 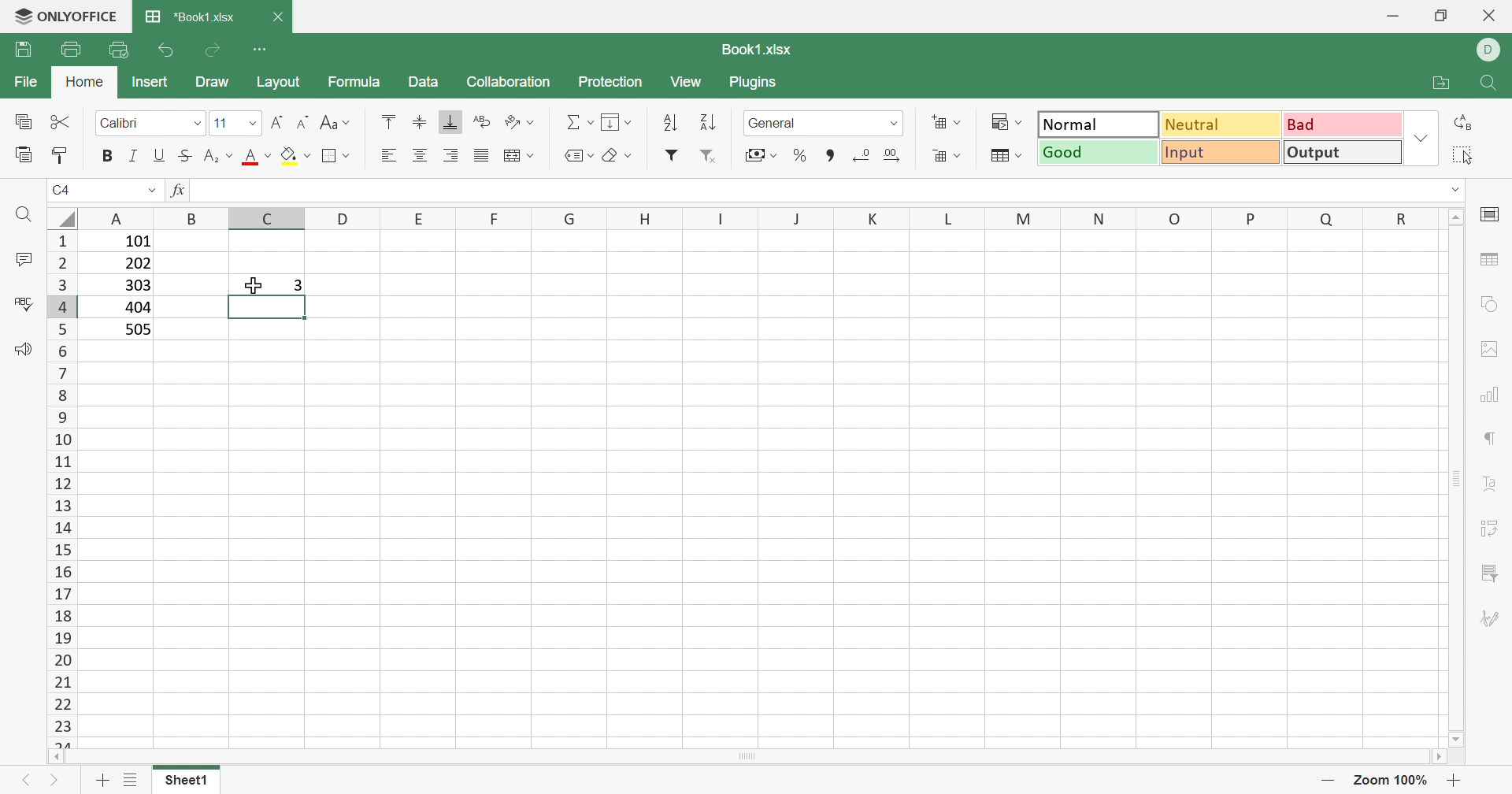 I want to click on Plugins, so click(x=760, y=83).